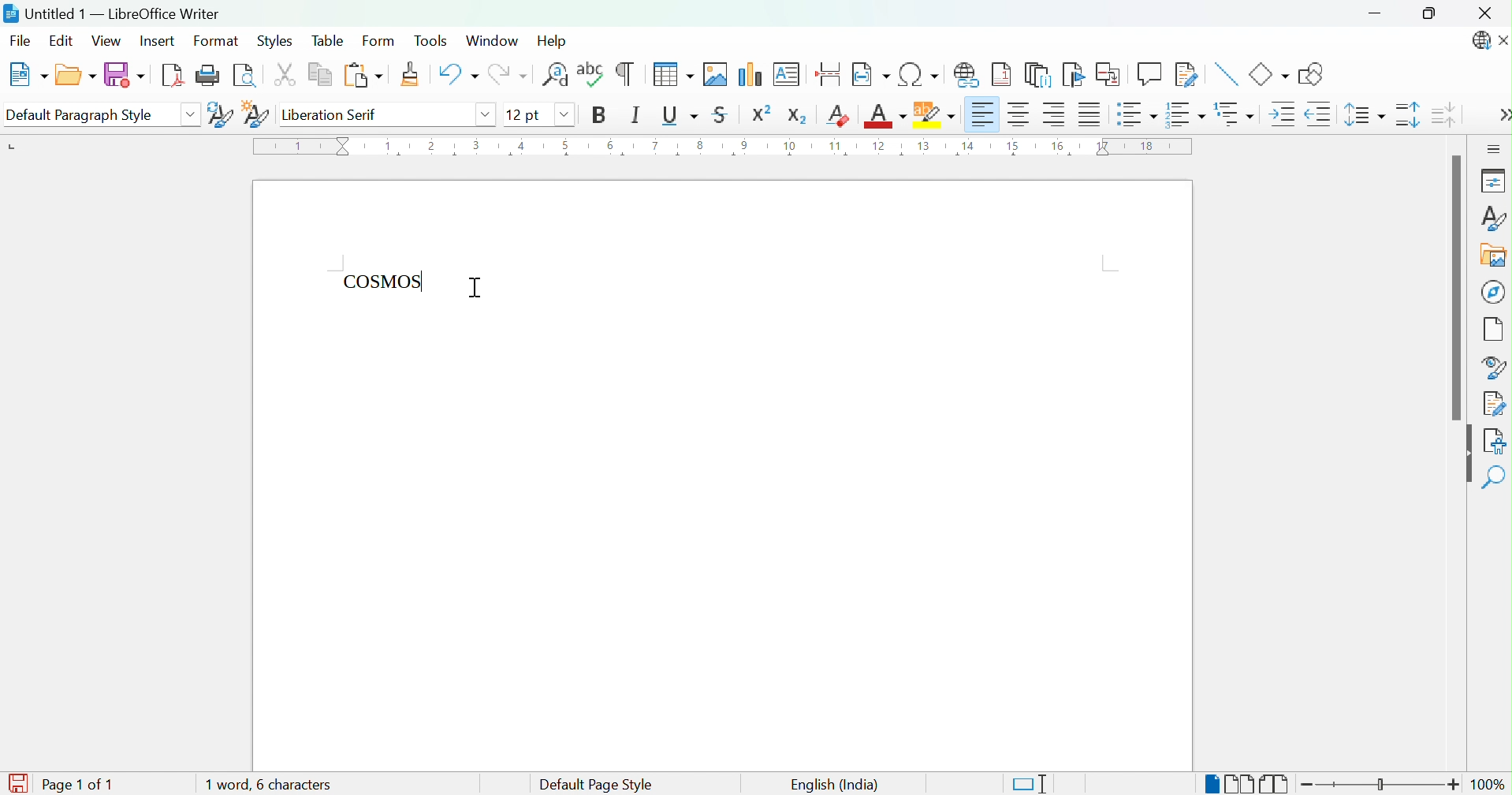  Describe the element at coordinates (76, 784) in the screenshot. I see `Page 1 of 1` at that location.